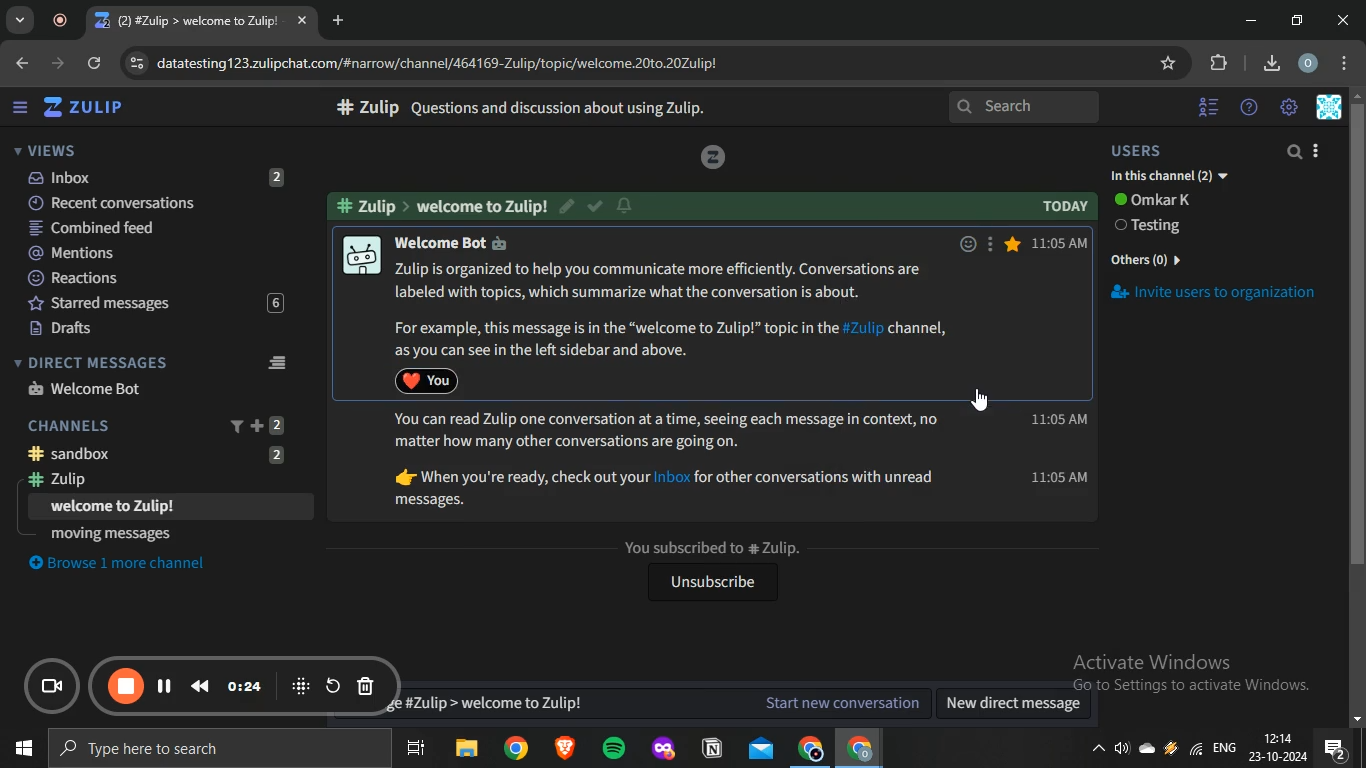 This screenshot has height=768, width=1366. Describe the element at coordinates (466, 242) in the screenshot. I see `welcome bot` at that location.